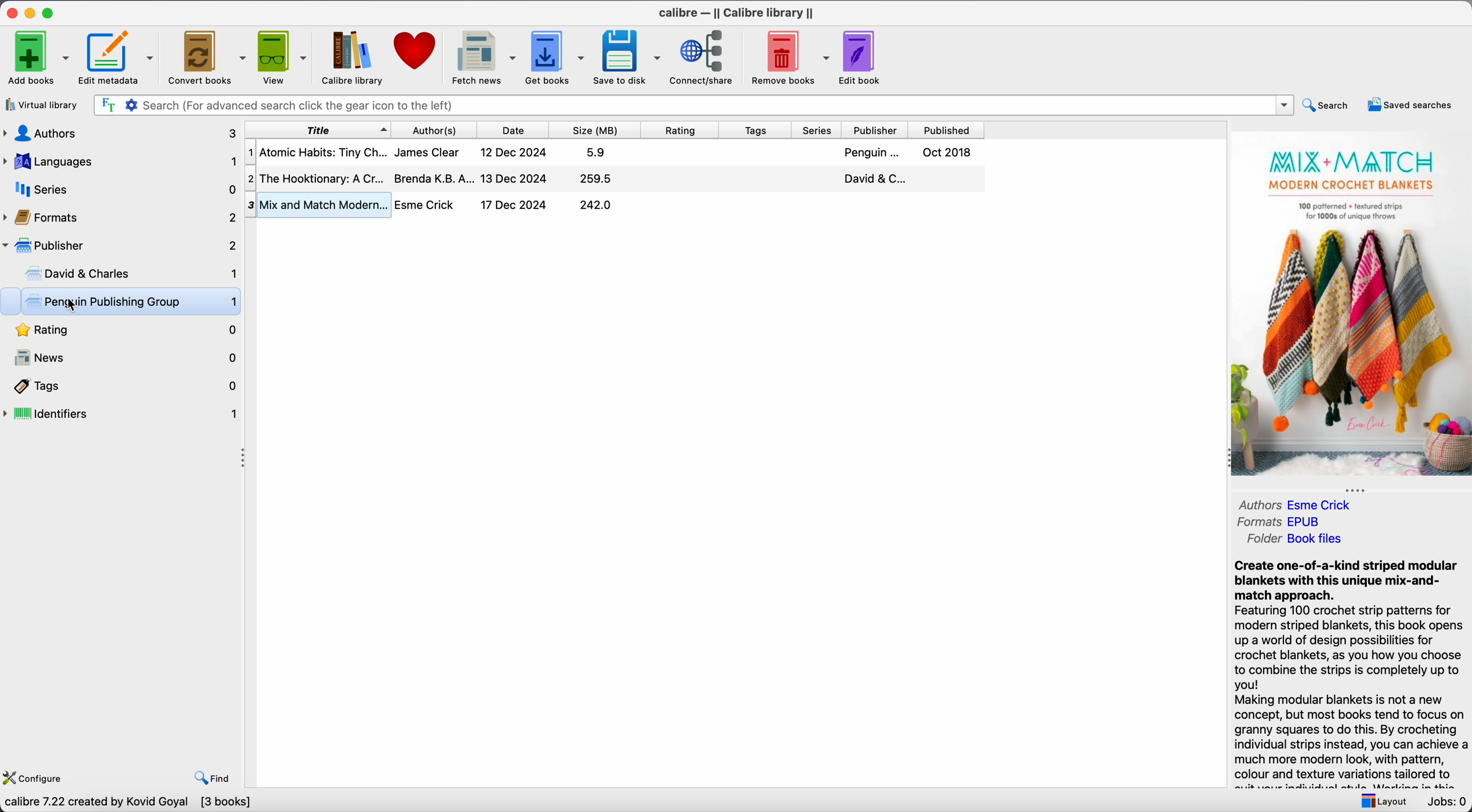 The height and width of the screenshot is (812, 1472). I want to click on The Hocktionary, so click(614, 177).